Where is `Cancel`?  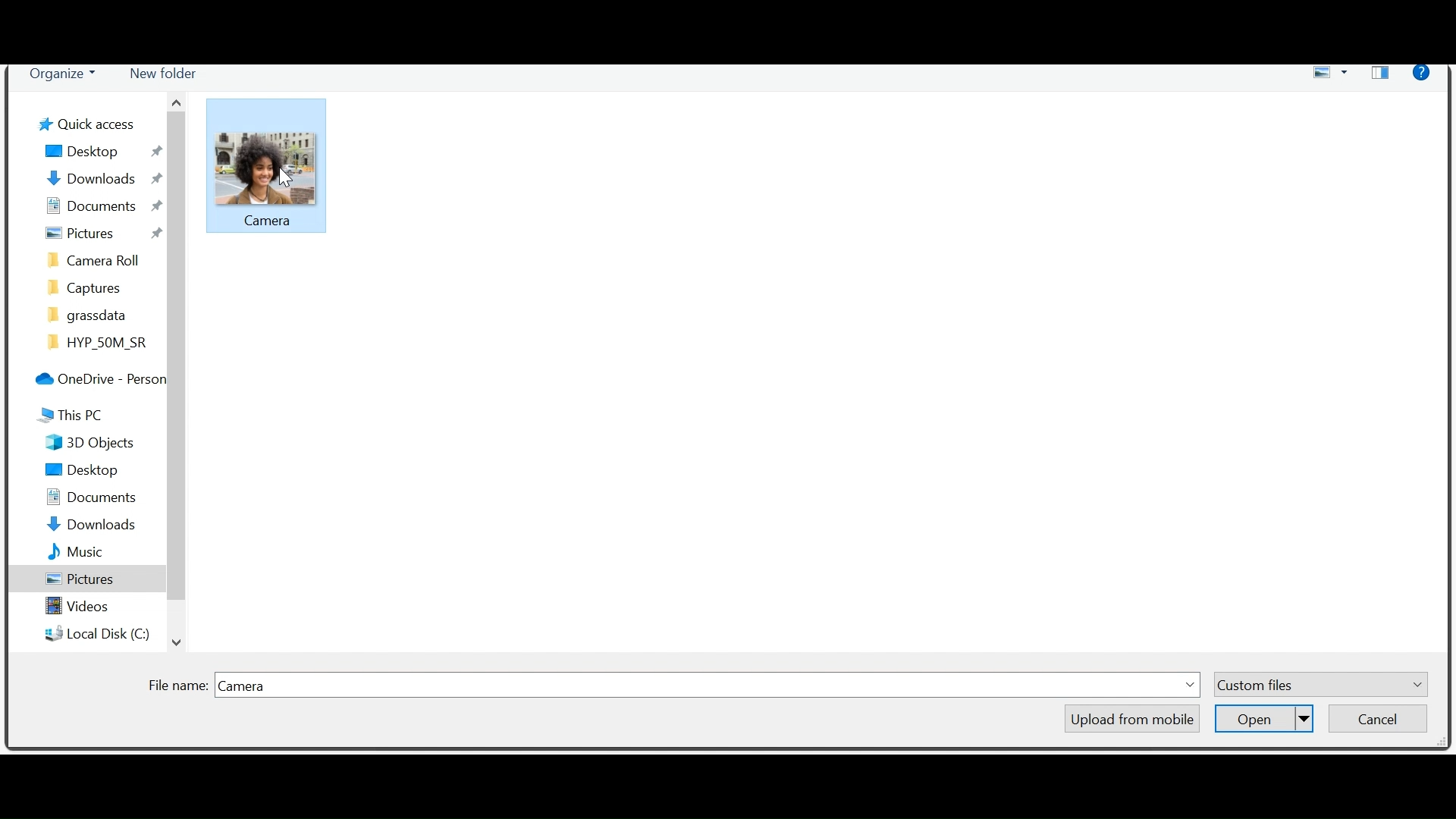
Cancel is located at coordinates (1384, 717).